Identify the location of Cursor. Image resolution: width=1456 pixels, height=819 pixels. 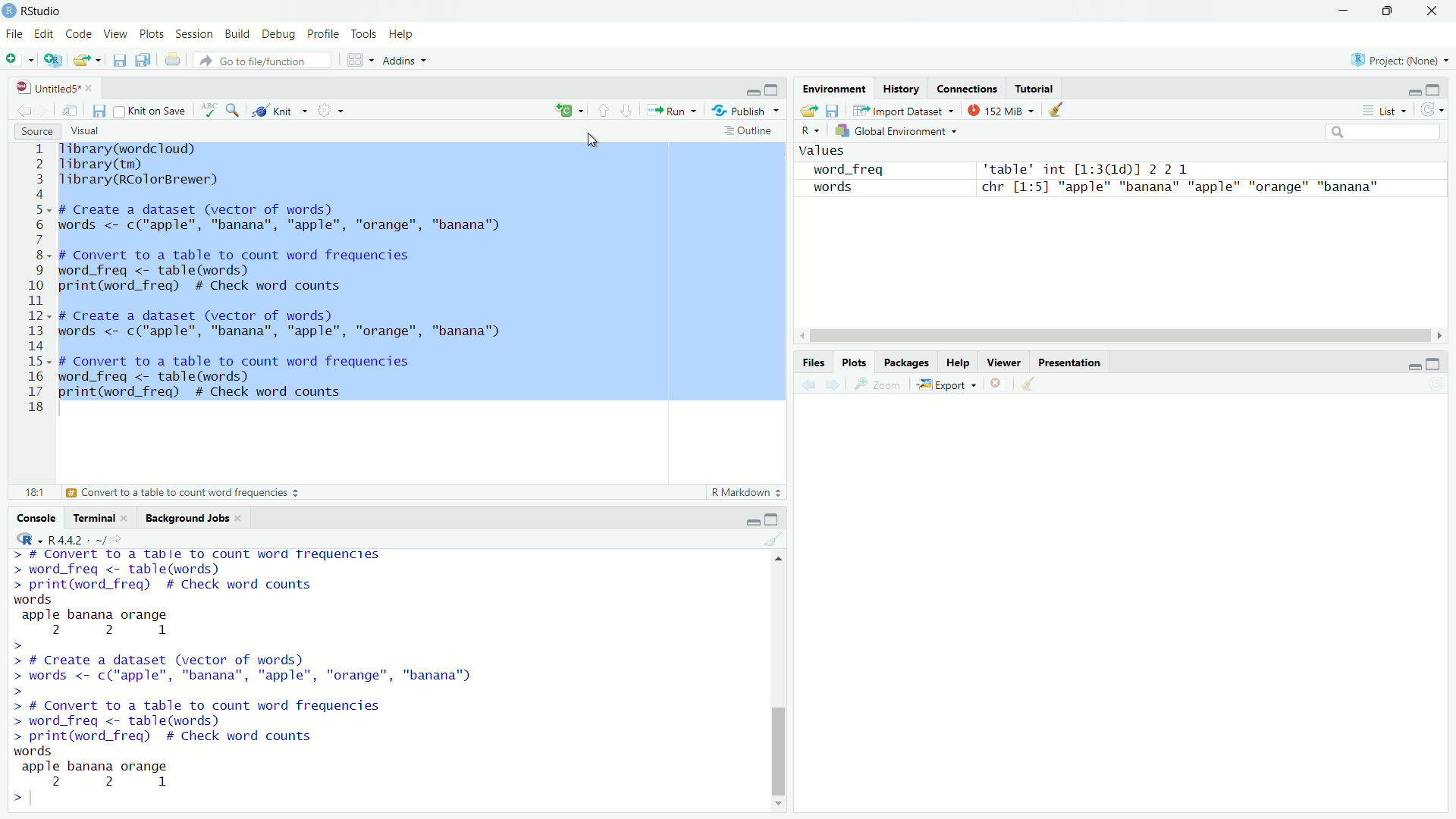
(593, 141).